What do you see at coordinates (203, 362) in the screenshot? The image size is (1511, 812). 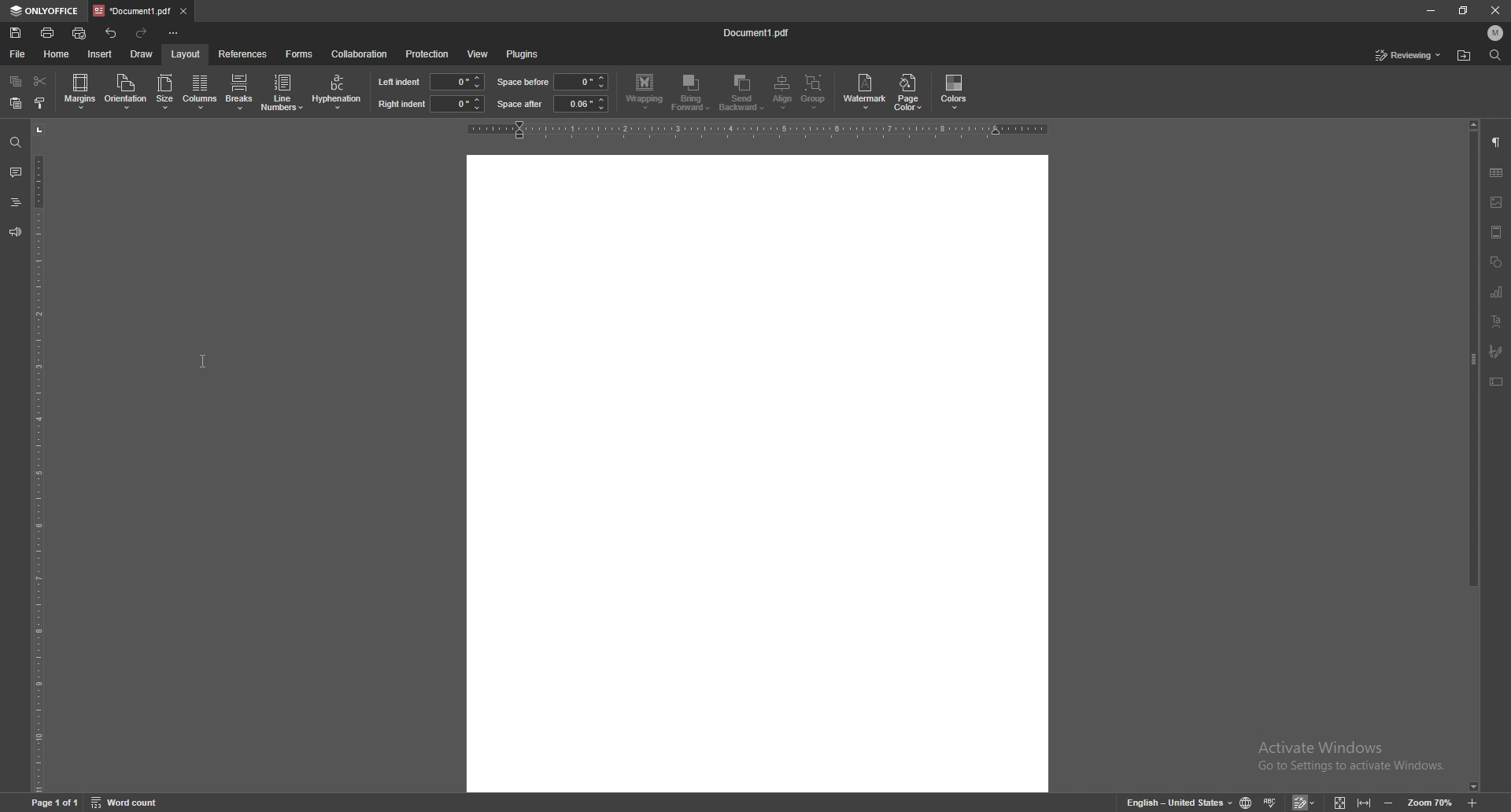 I see `cursor` at bounding box center [203, 362].